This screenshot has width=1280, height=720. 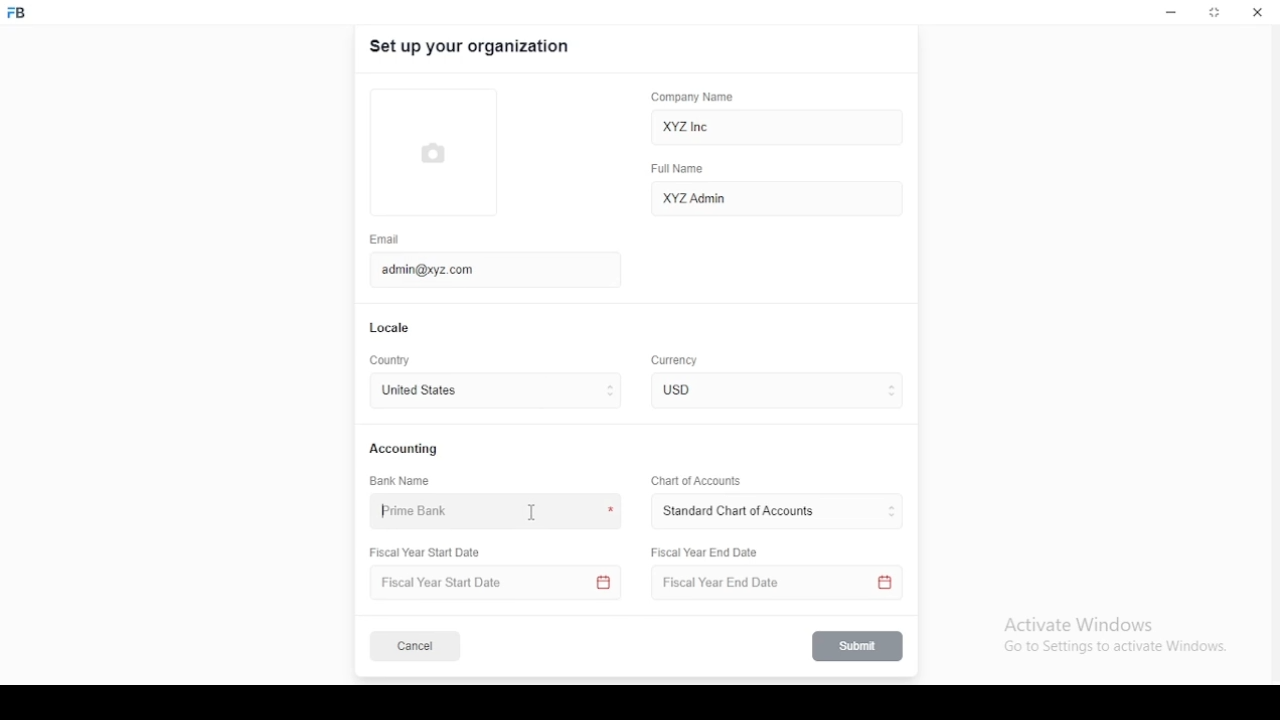 I want to click on set up your organization, so click(x=471, y=47).